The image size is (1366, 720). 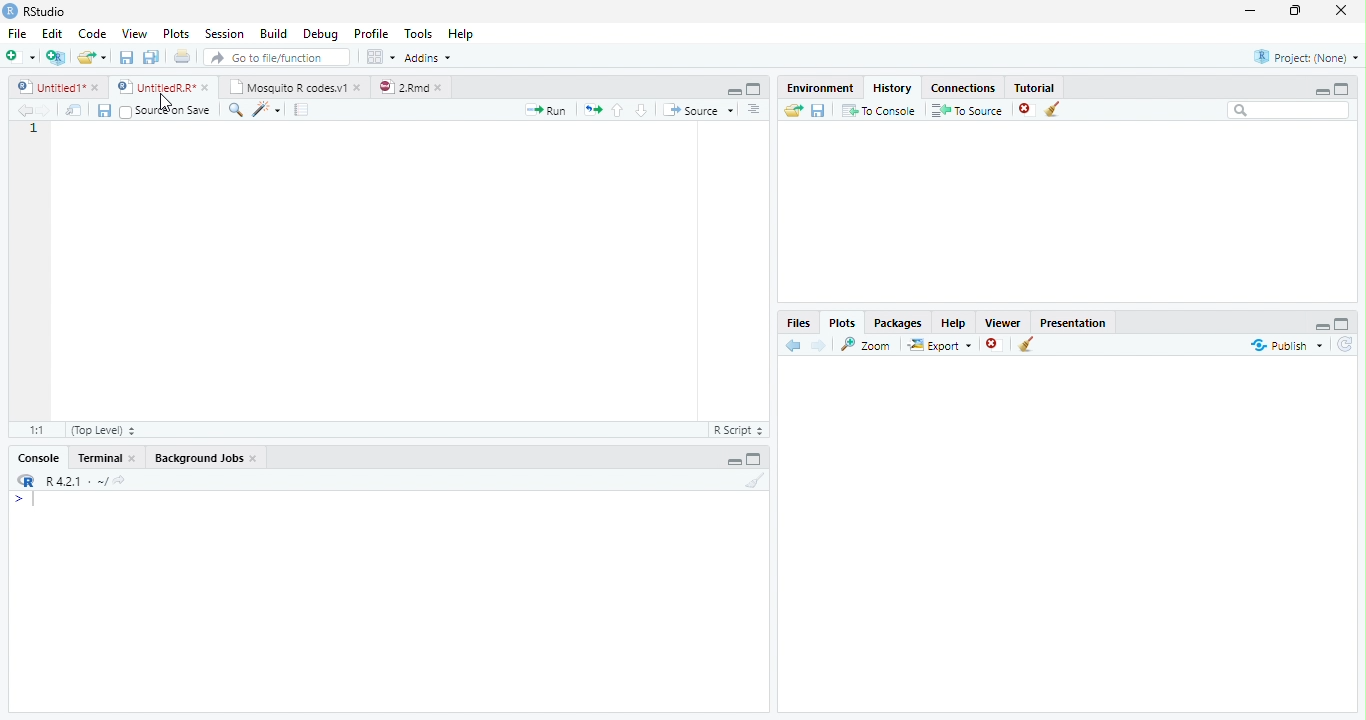 What do you see at coordinates (431, 56) in the screenshot?
I see `Addins` at bounding box center [431, 56].